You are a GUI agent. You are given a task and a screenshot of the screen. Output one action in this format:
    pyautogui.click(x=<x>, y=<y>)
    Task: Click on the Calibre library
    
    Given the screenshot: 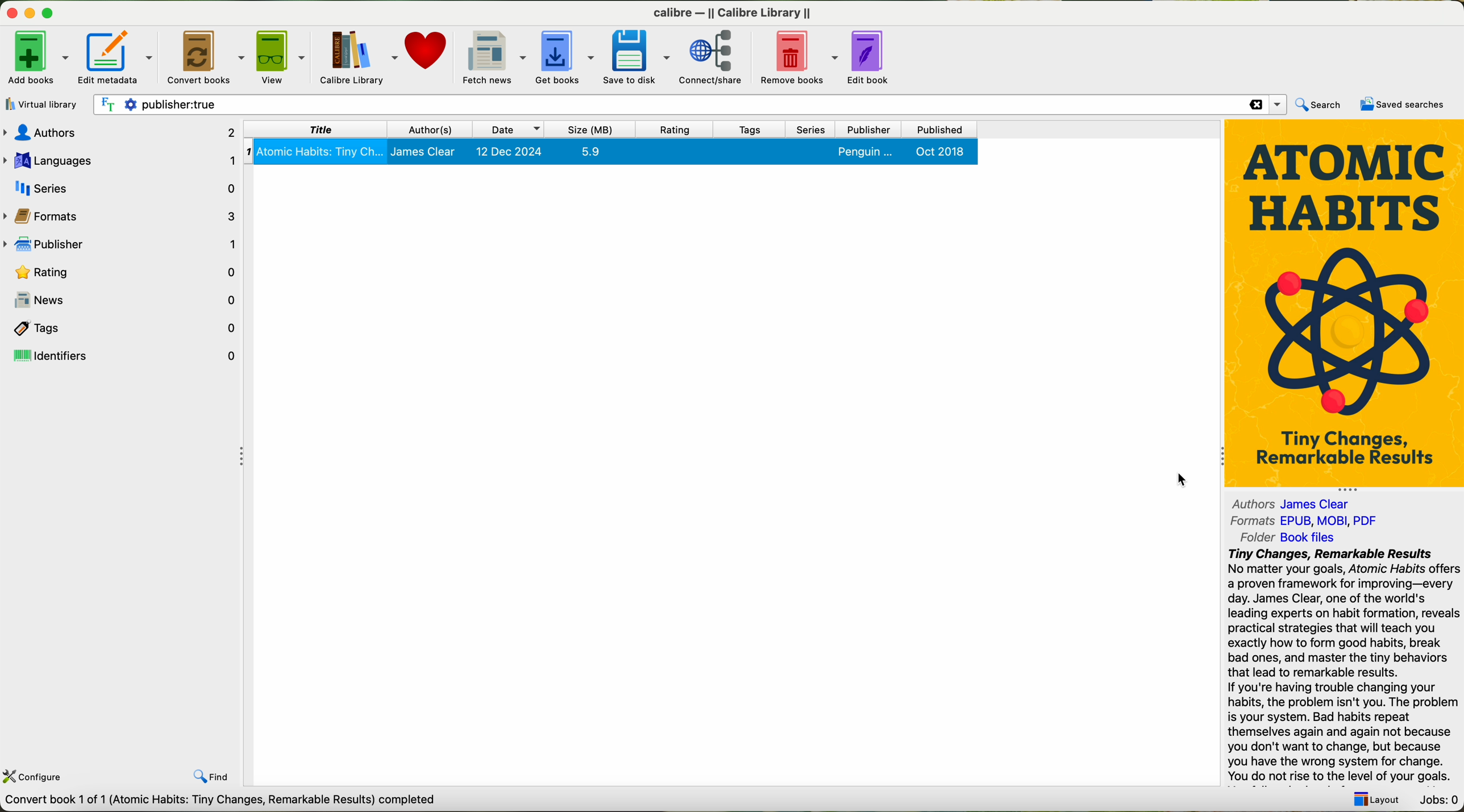 What is the action you would take?
    pyautogui.click(x=357, y=57)
    